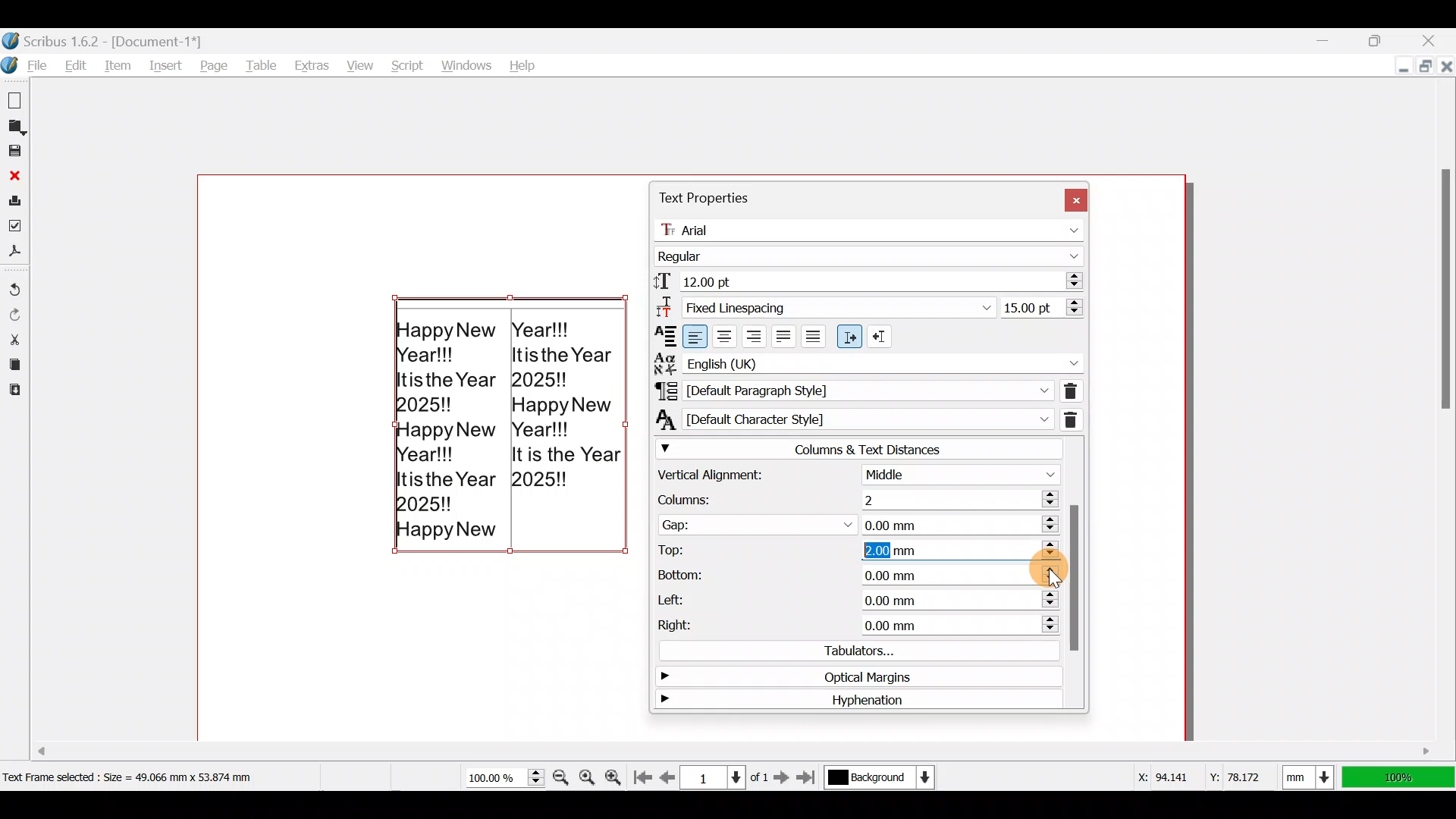 The image size is (1456, 819). Describe the element at coordinates (866, 281) in the screenshot. I see `Font size` at that location.